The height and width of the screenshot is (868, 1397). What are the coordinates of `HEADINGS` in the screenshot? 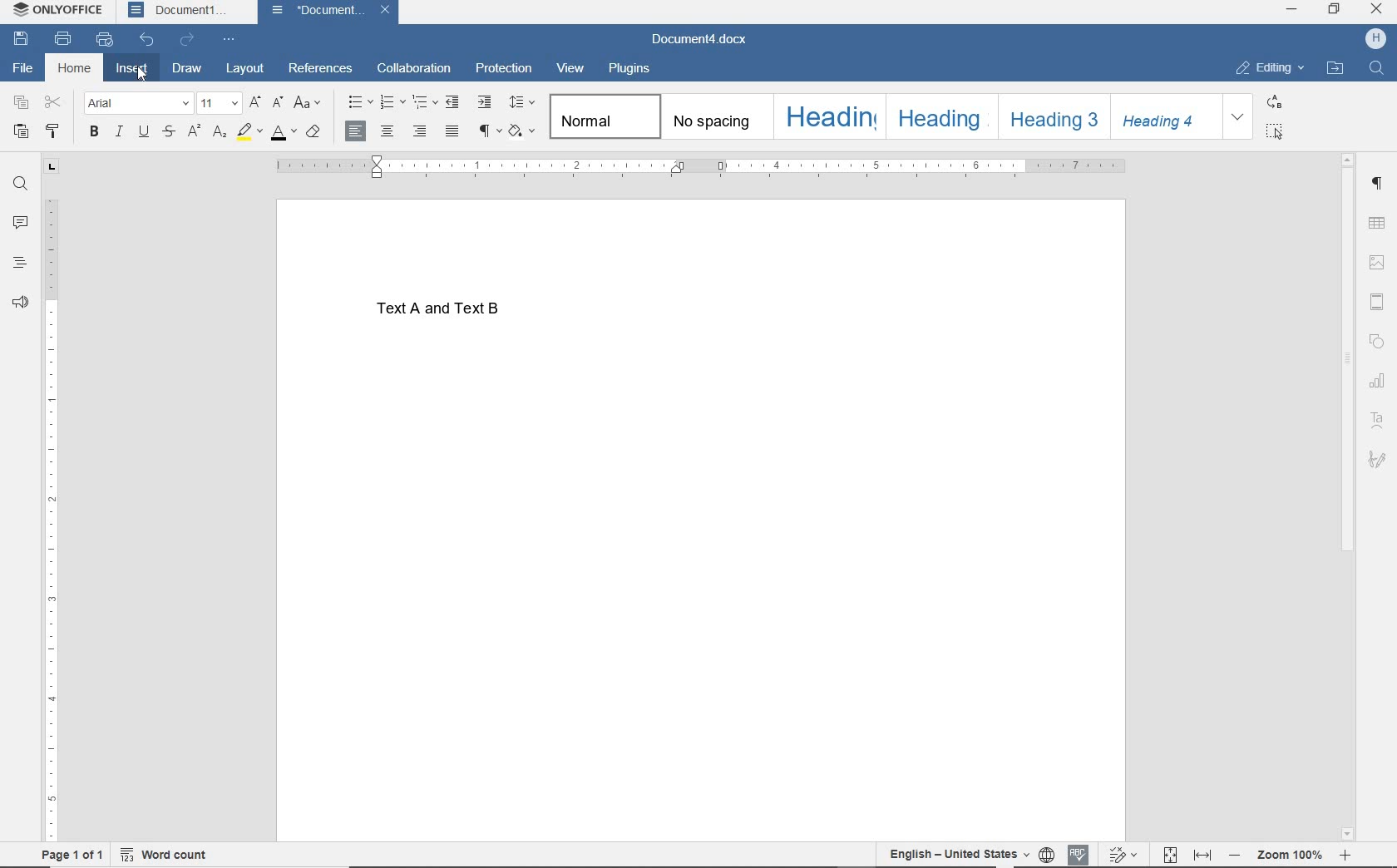 It's located at (20, 260).